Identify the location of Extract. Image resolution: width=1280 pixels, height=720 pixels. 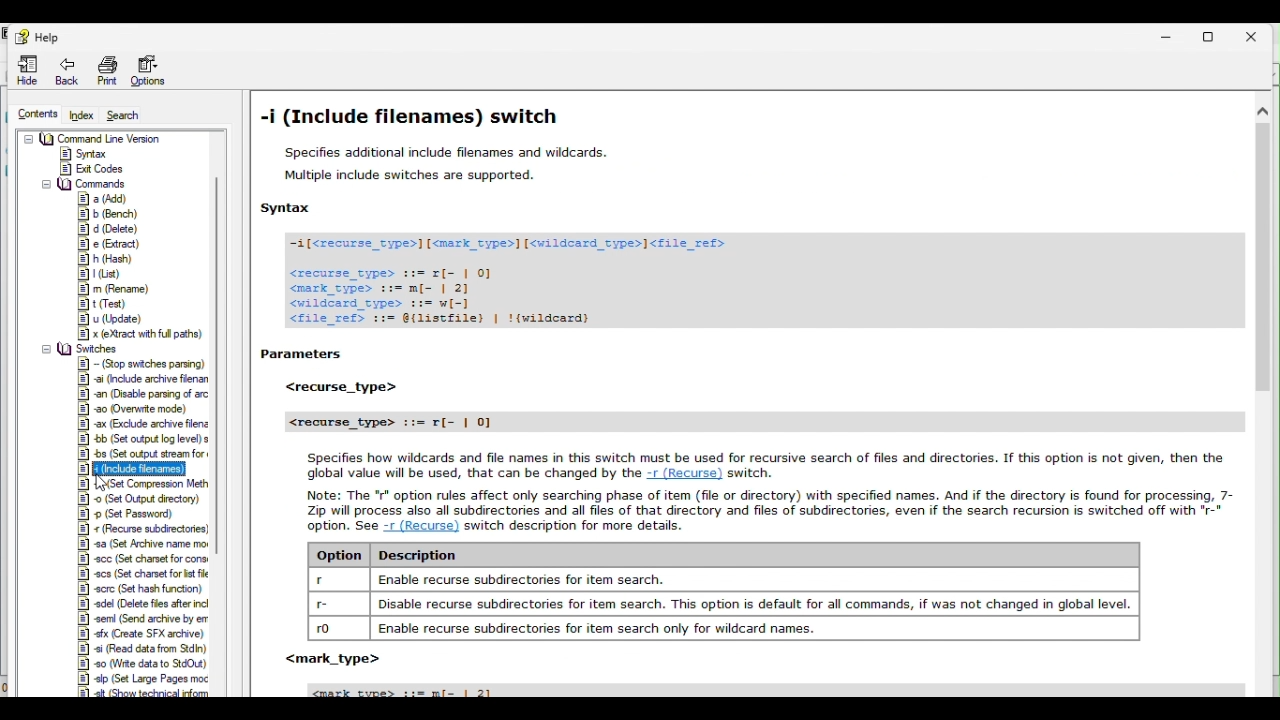
(106, 245).